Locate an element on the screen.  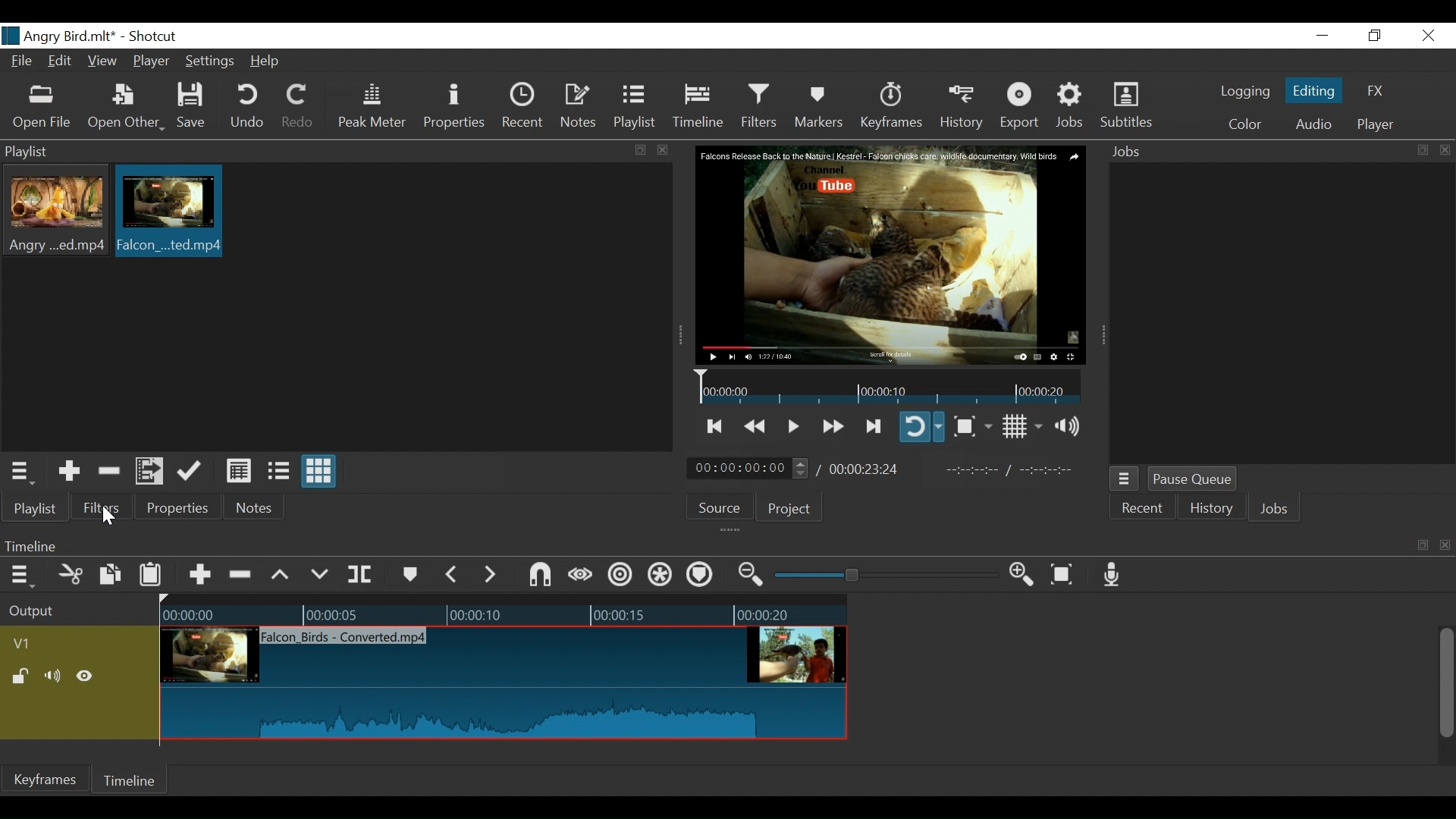
Paste is located at coordinates (152, 578).